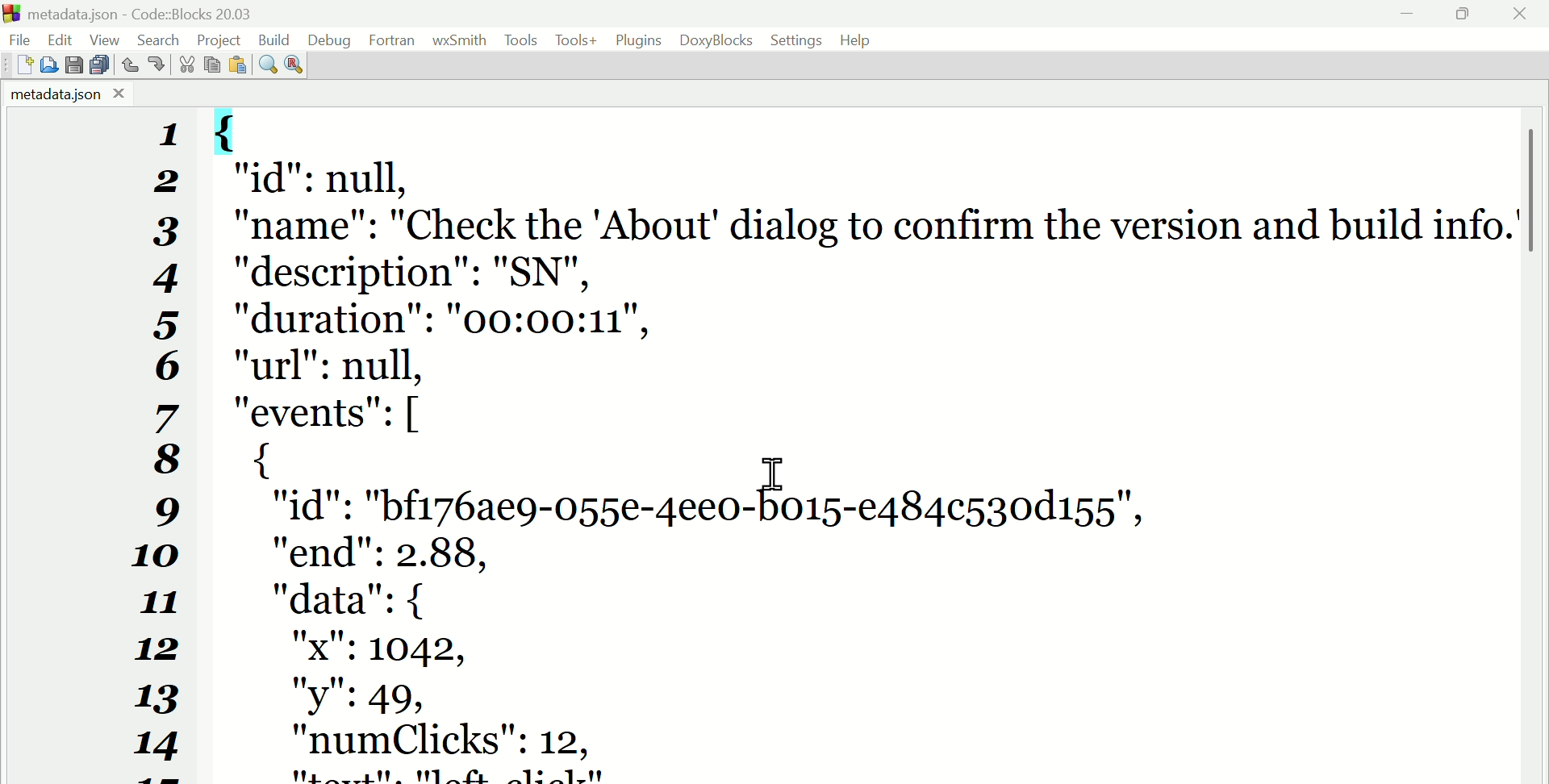  I want to click on save, so click(77, 65).